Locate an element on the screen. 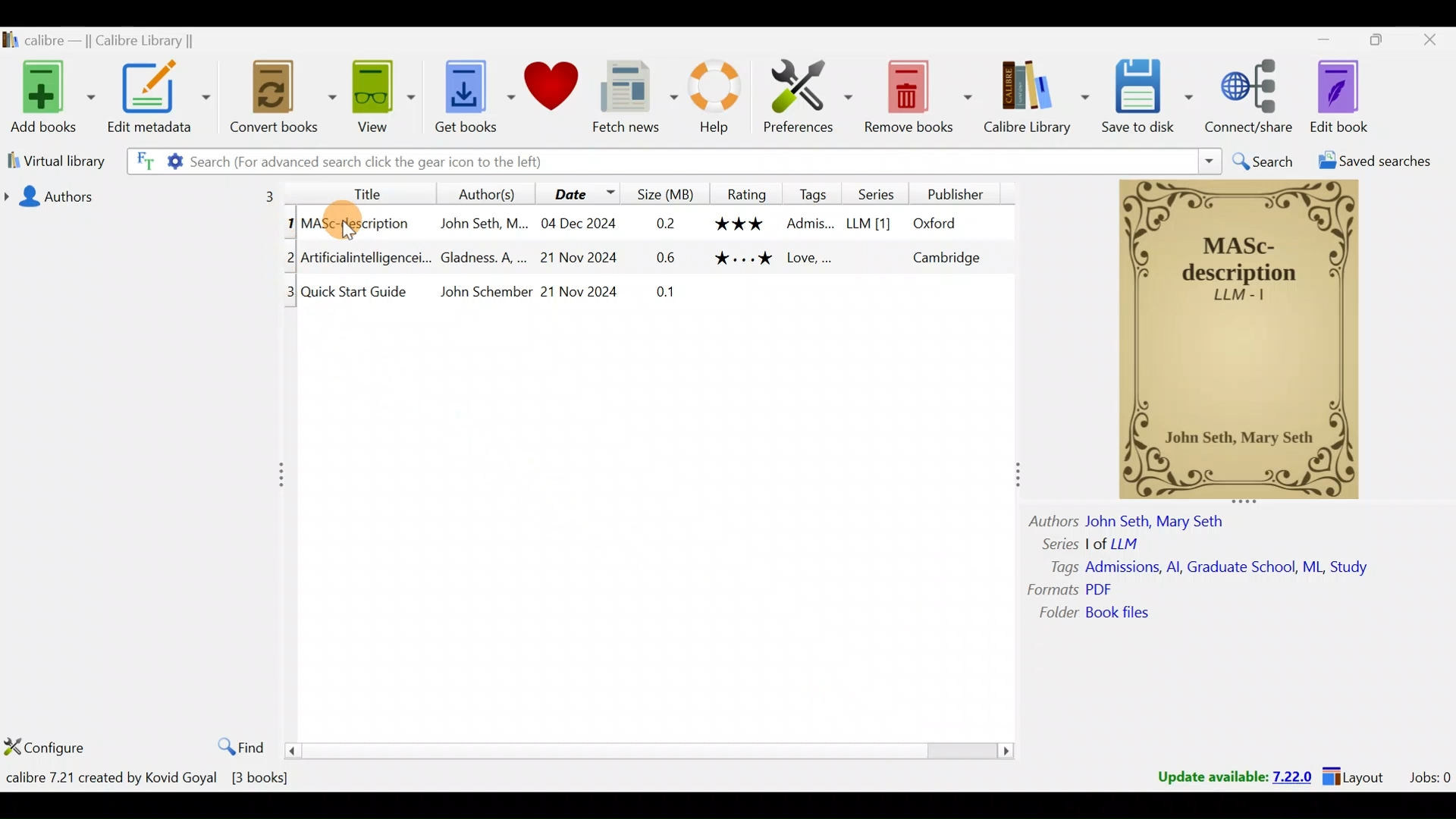   is located at coordinates (1055, 613).